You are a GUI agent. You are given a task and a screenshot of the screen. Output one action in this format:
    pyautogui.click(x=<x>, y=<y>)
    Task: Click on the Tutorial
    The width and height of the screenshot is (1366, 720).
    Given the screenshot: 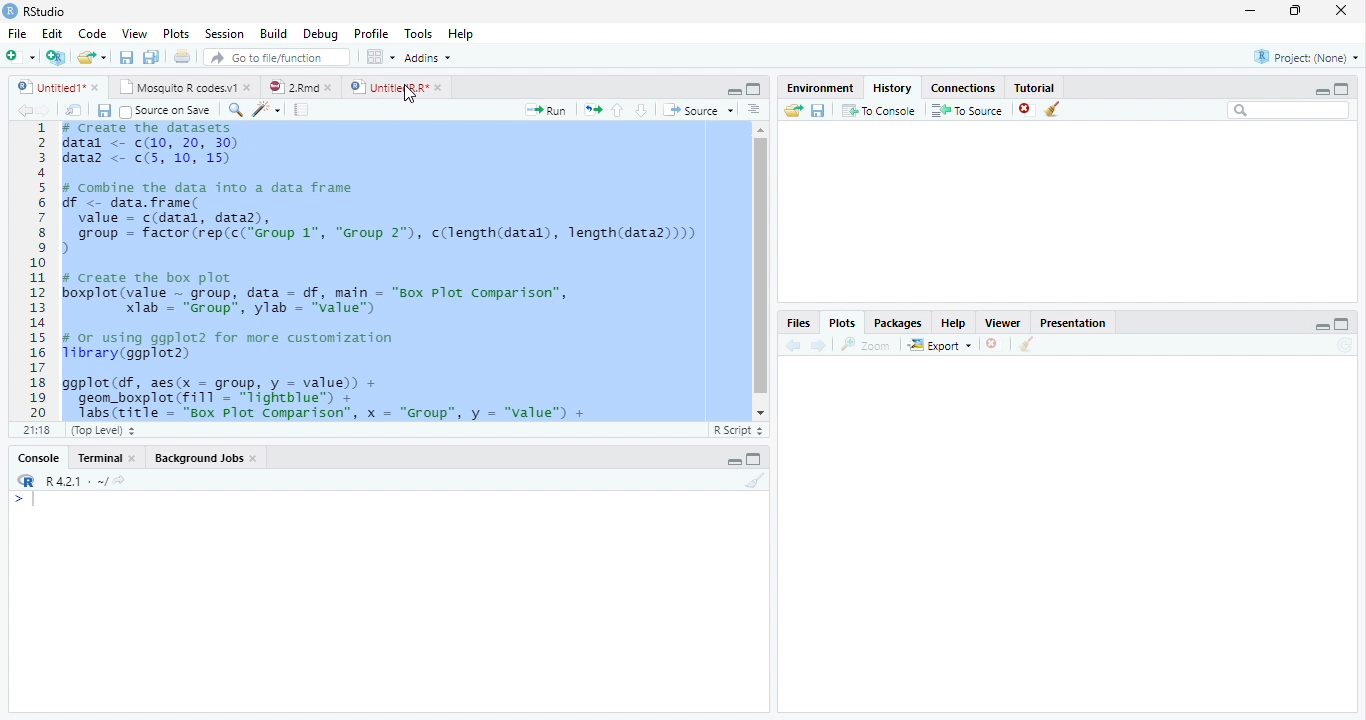 What is the action you would take?
    pyautogui.click(x=1035, y=88)
    